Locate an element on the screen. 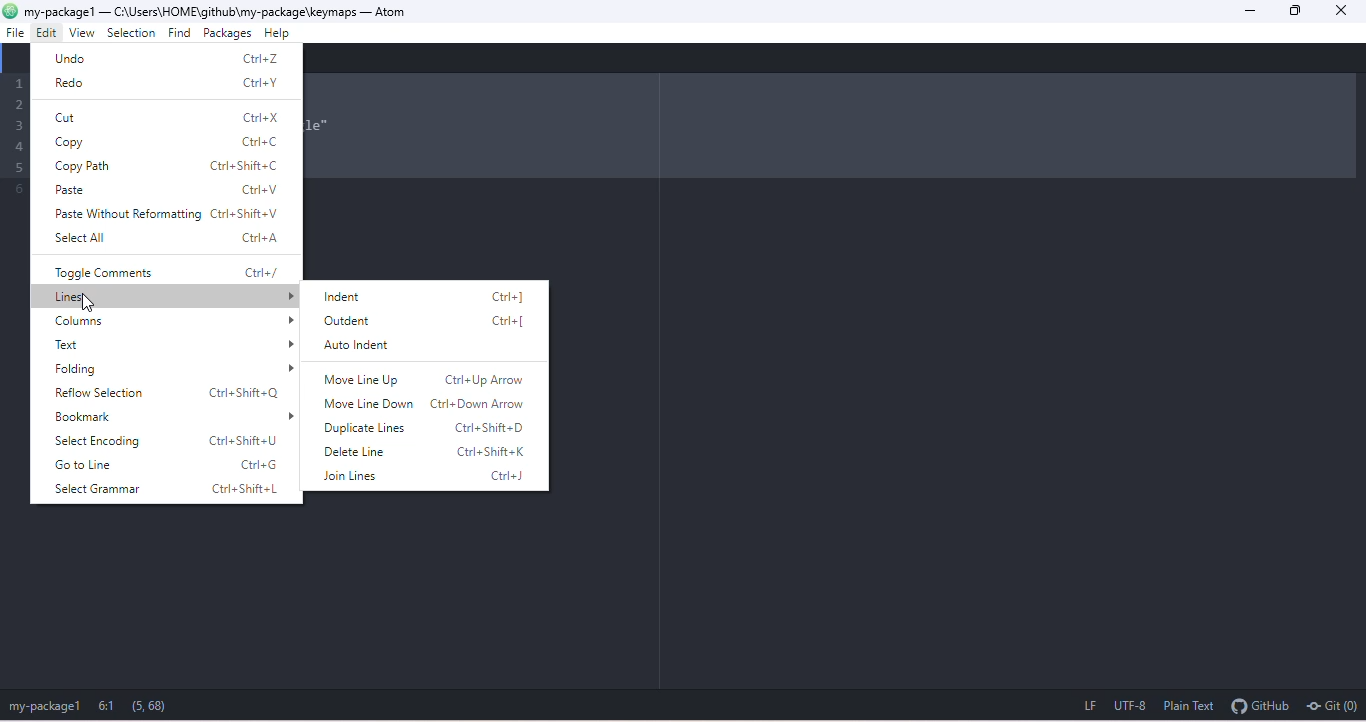  plain text is located at coordinates (1191, 707).